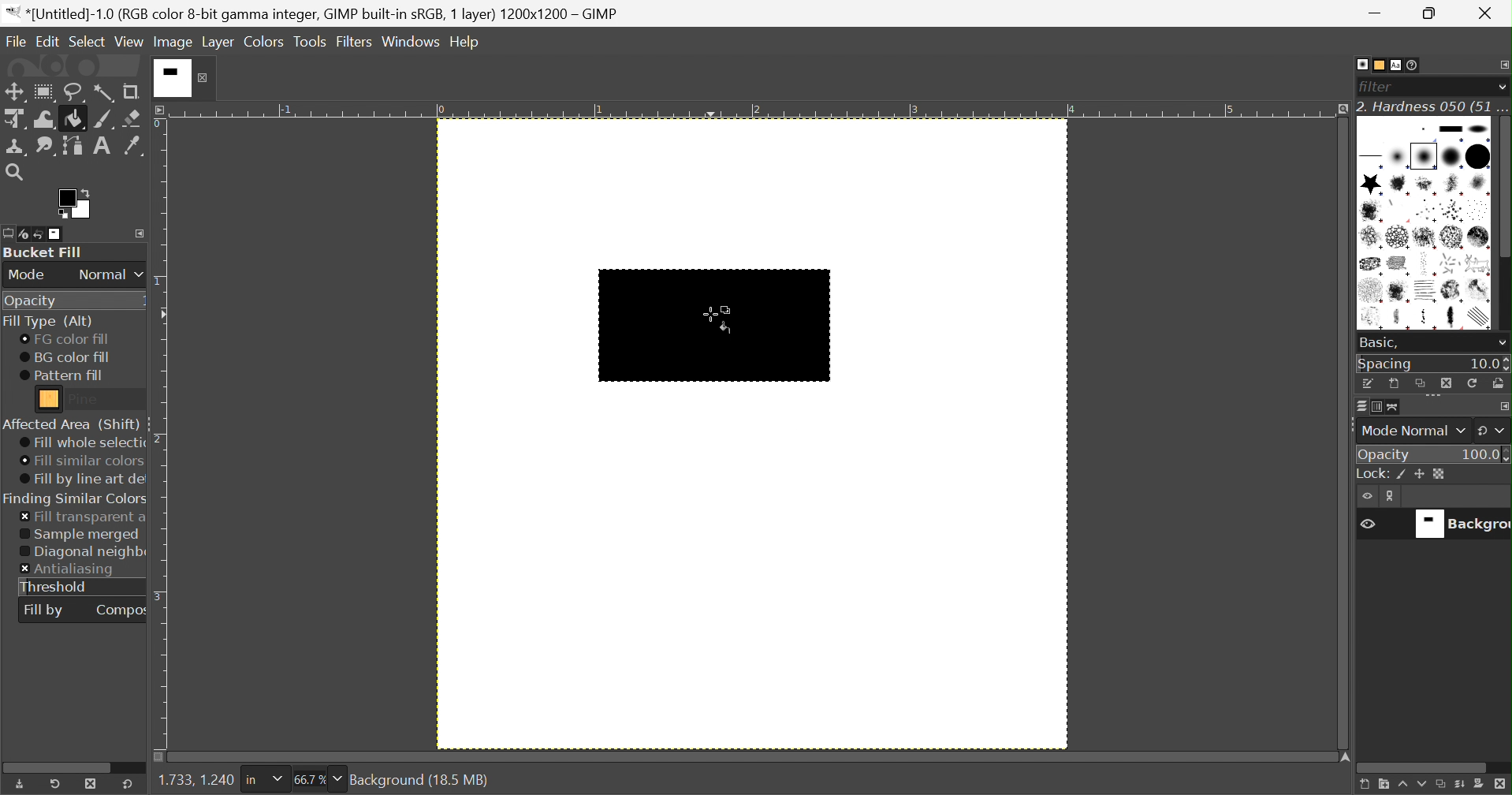 The image size is (1512, 795). What do you see at coordinates (104, 120) in the screenshot?
I see `Paintbrush Tool` at bounding box center [104, 120].